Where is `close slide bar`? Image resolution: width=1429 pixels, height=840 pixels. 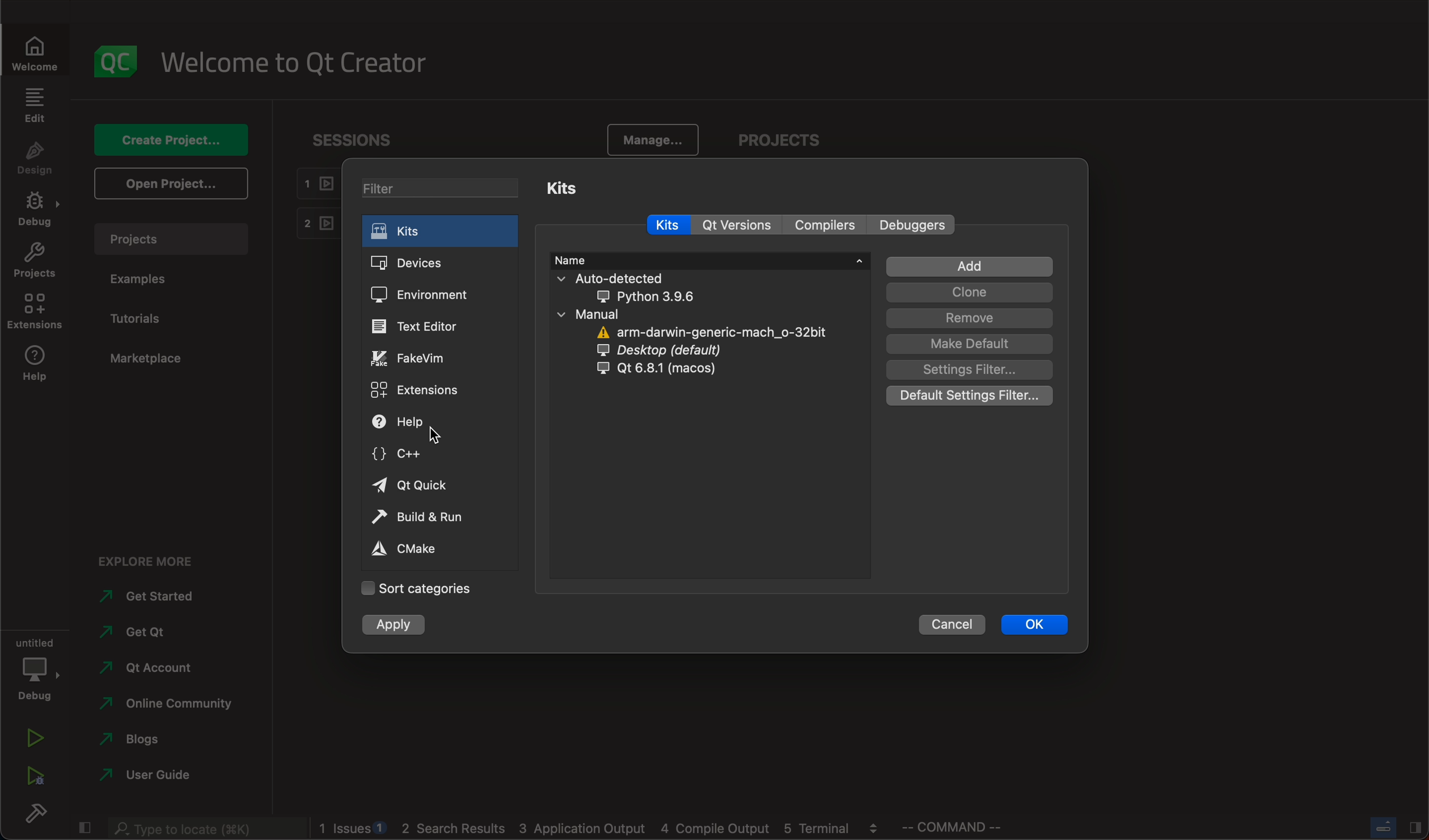
close slide bar is located at coordinates (1390, 828).